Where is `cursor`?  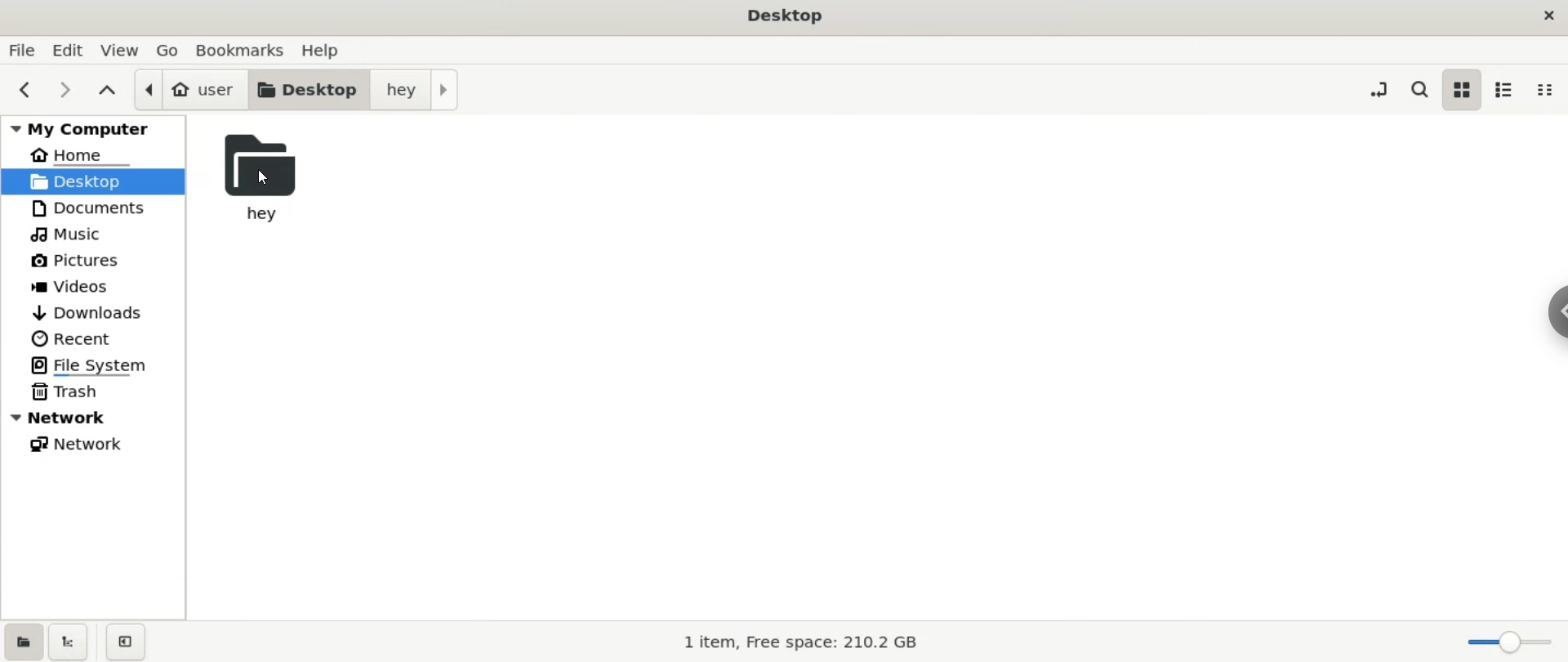
cursor is located at coordinates (267, 176).